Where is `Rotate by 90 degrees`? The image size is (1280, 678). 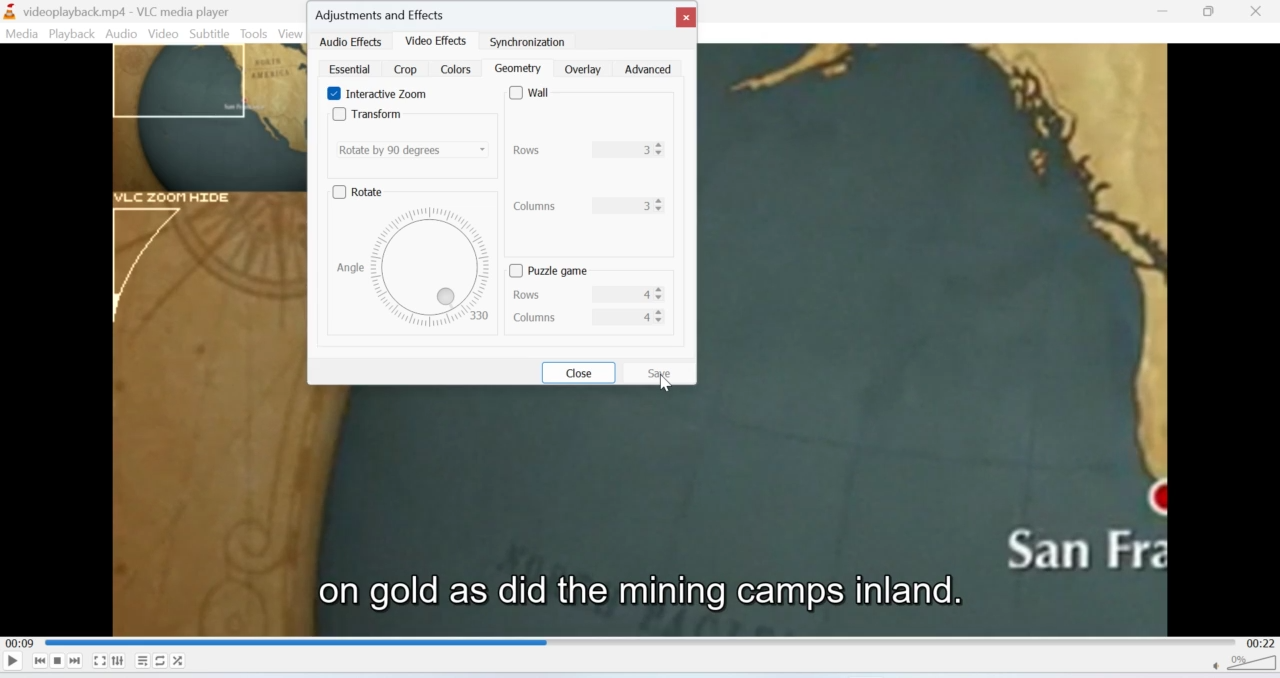 Rotate by 90 degrees is located at coordinates (414, 149).